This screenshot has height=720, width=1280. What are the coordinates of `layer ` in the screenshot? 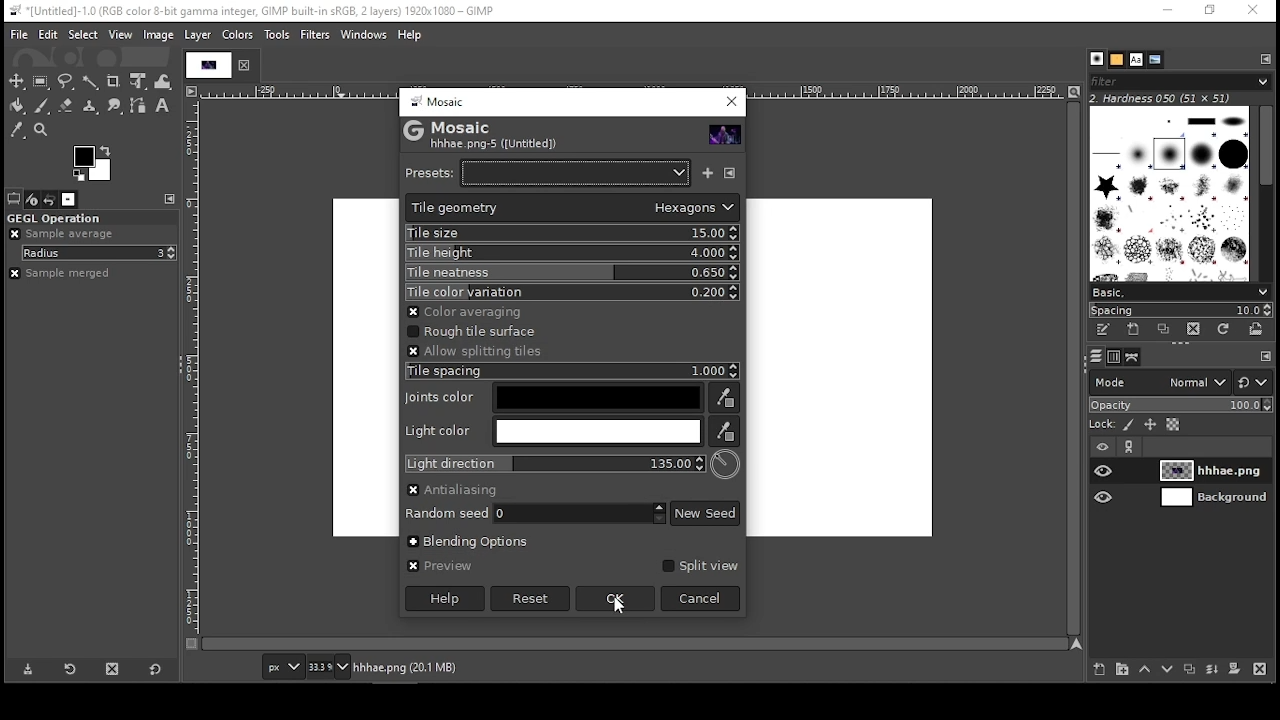 It's located at (1215, 499).